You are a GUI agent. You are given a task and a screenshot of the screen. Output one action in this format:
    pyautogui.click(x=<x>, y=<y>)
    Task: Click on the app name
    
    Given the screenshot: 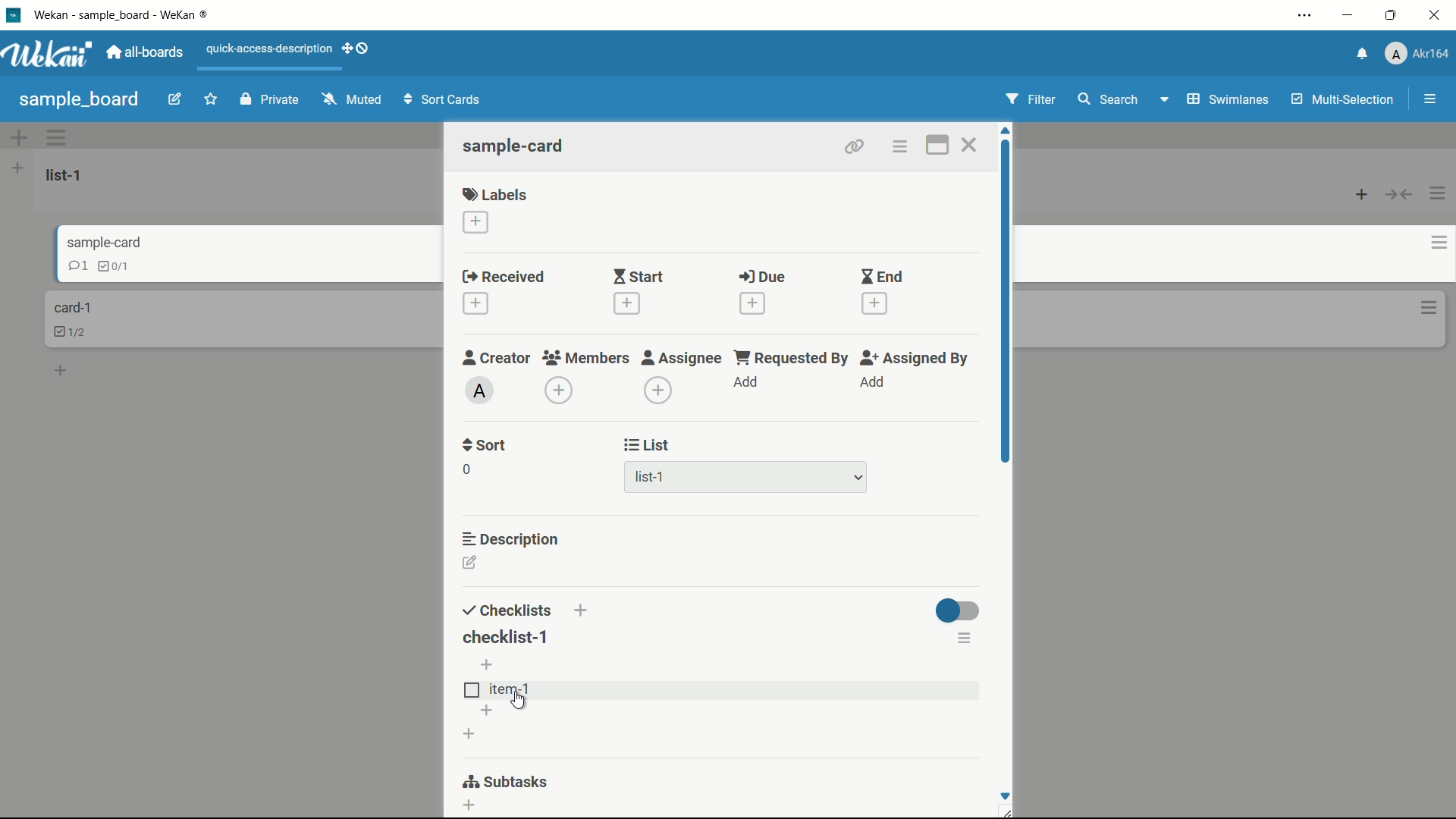 What is the action you would take?
    pyautogui.click(x=121, y=15)
    